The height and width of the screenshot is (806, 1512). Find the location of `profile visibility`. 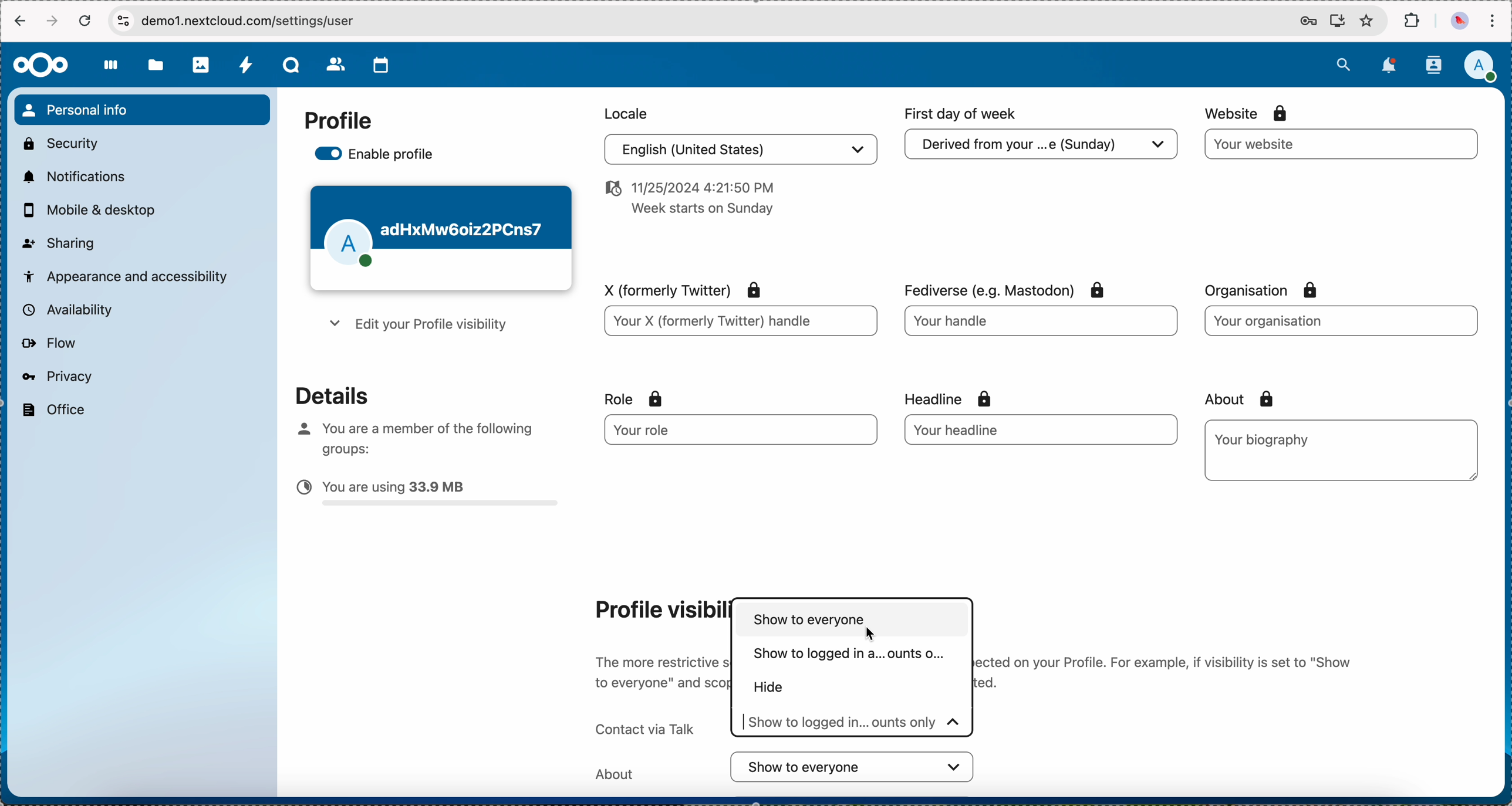

profile visibility is located at coordinates (657, 609).